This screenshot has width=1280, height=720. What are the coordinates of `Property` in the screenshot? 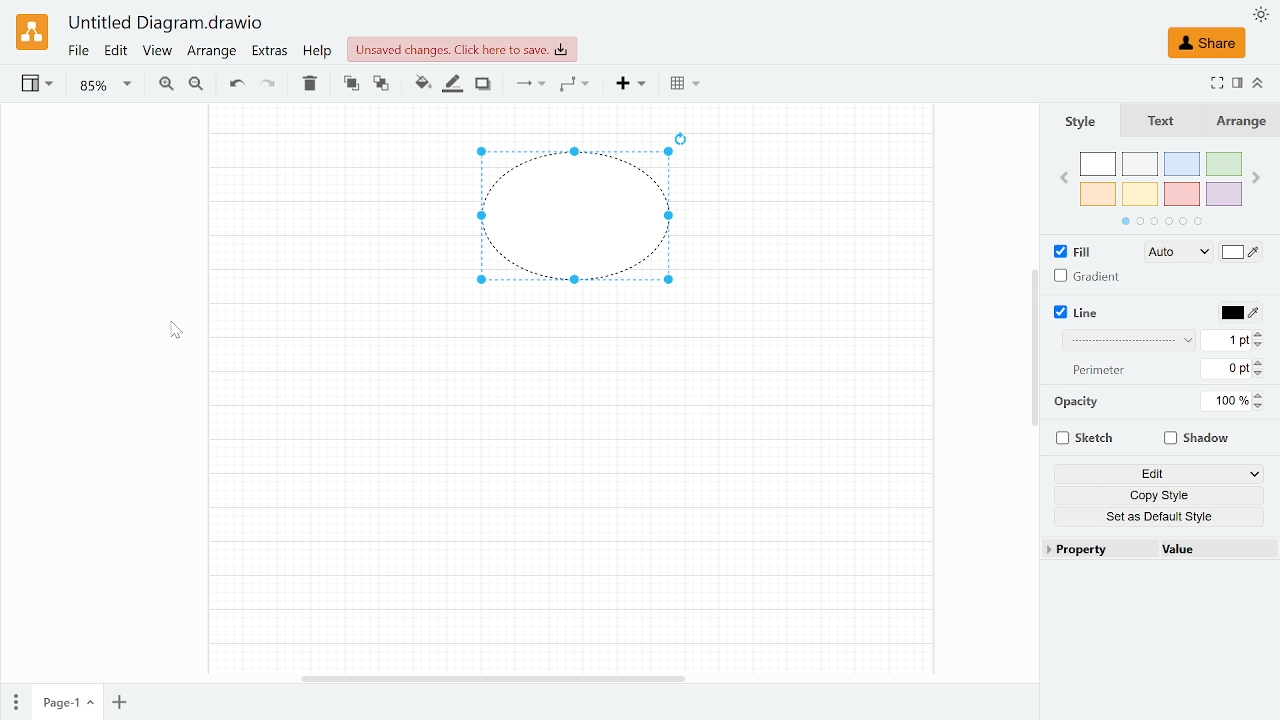 It's located at (1095, 550).